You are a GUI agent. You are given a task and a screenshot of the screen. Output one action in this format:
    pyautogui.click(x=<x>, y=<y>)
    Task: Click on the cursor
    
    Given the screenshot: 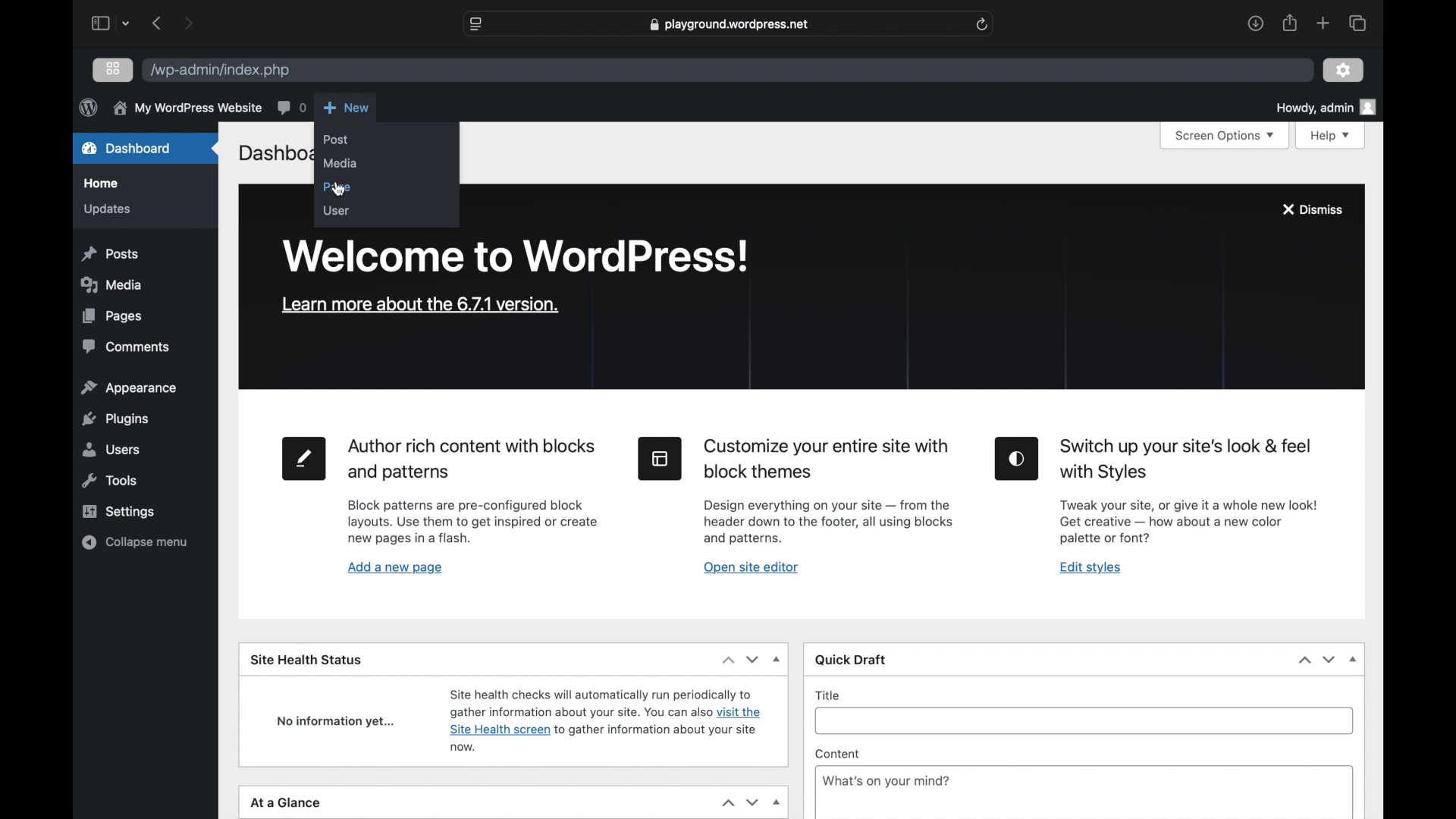 What is the action you would take?
    pyautogui.click(x=340, y=190)
    